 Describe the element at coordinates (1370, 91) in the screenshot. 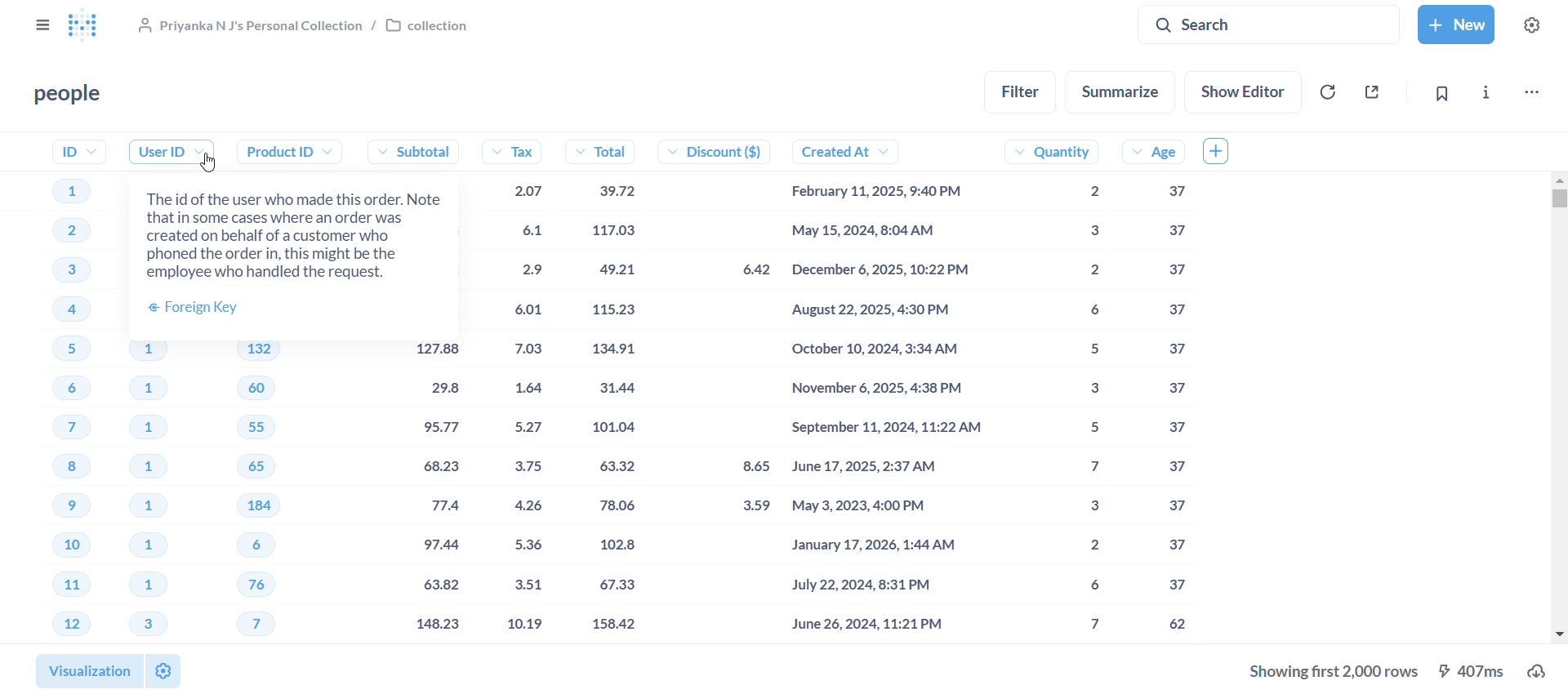

I see `sharing` at that location.